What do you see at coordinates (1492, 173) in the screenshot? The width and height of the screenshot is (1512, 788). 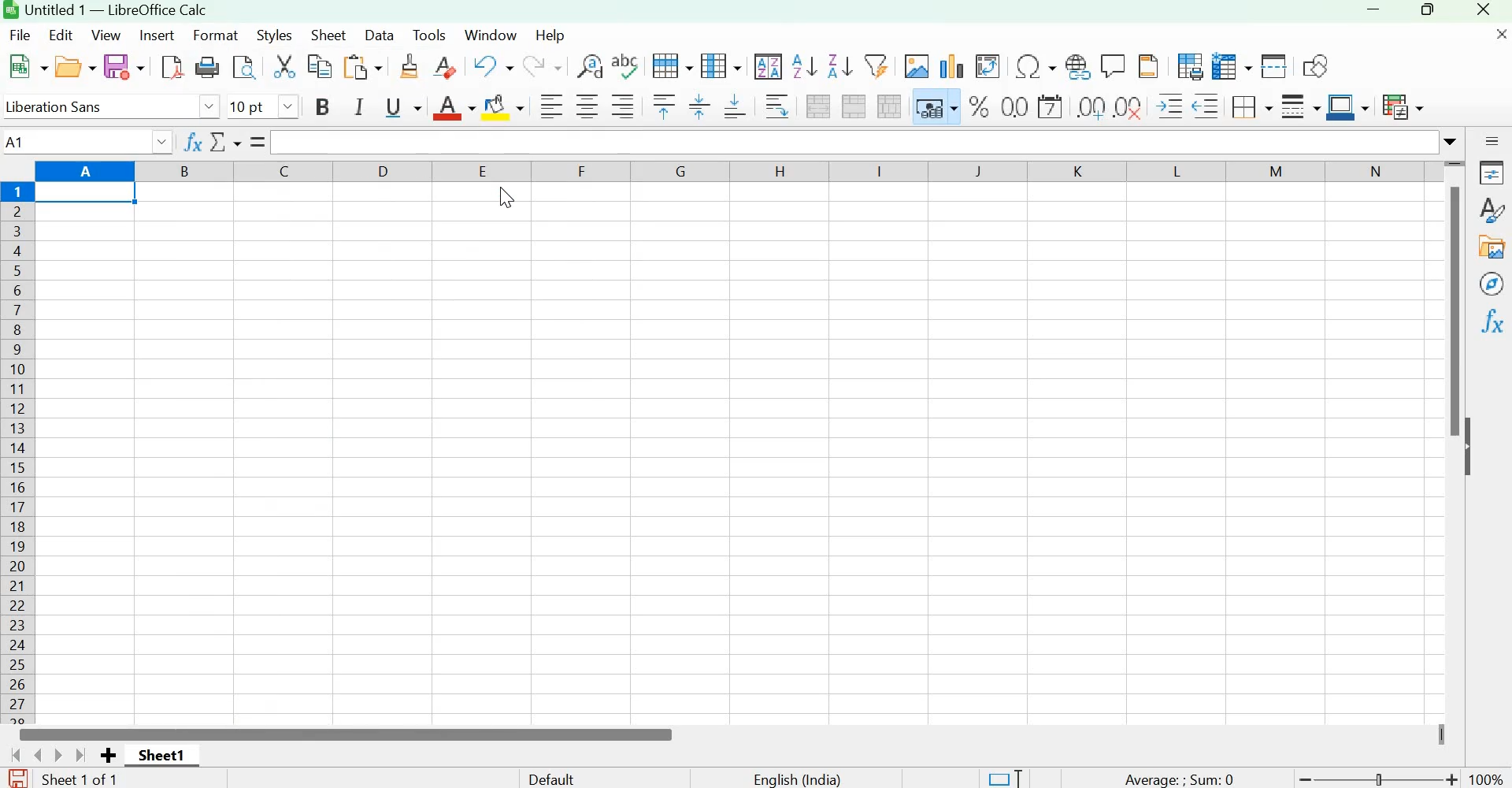 I see `Properties` at bounding box center [1492, 173].